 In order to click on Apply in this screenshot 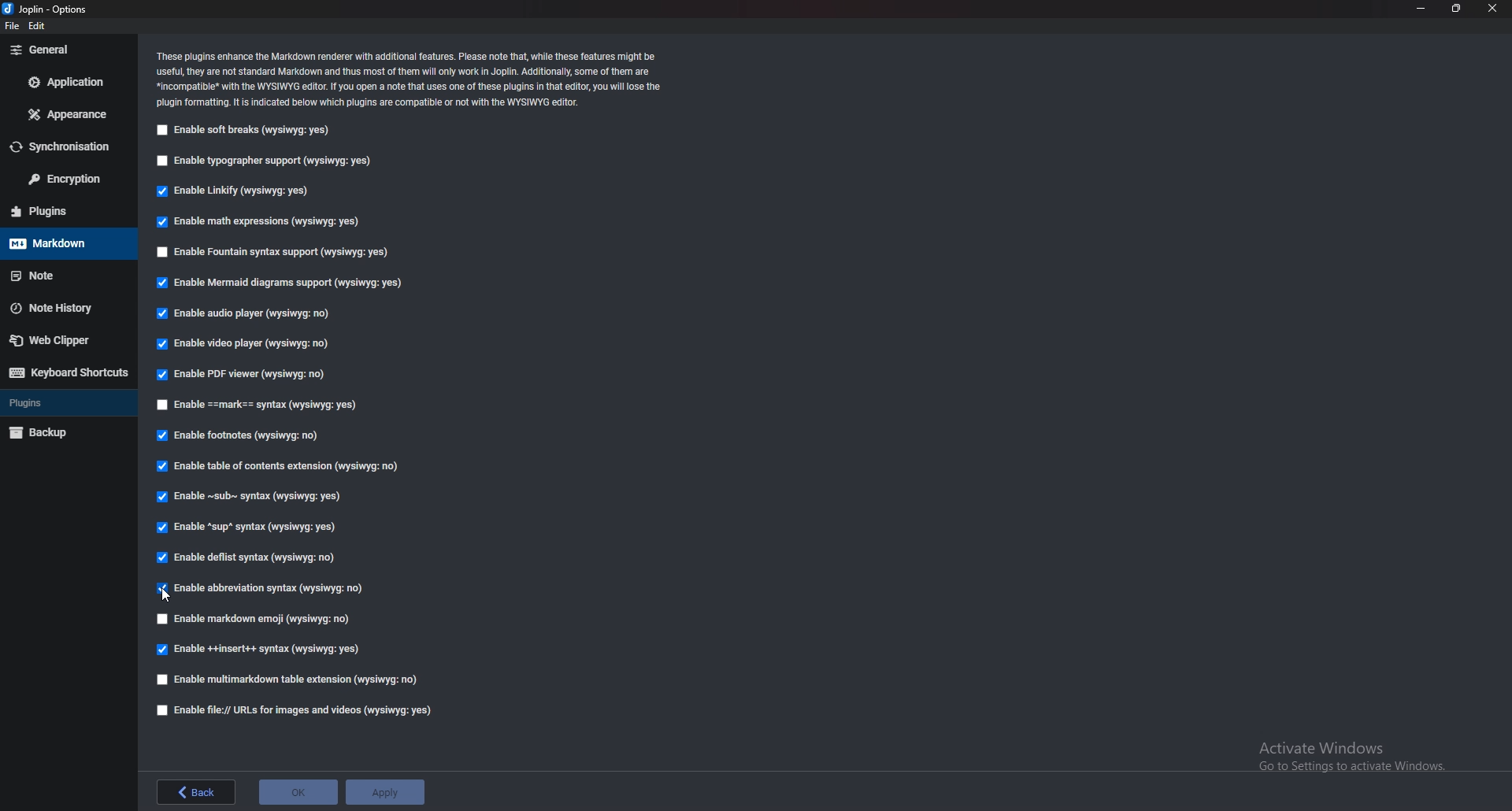, I will do `click(384, 791)`.